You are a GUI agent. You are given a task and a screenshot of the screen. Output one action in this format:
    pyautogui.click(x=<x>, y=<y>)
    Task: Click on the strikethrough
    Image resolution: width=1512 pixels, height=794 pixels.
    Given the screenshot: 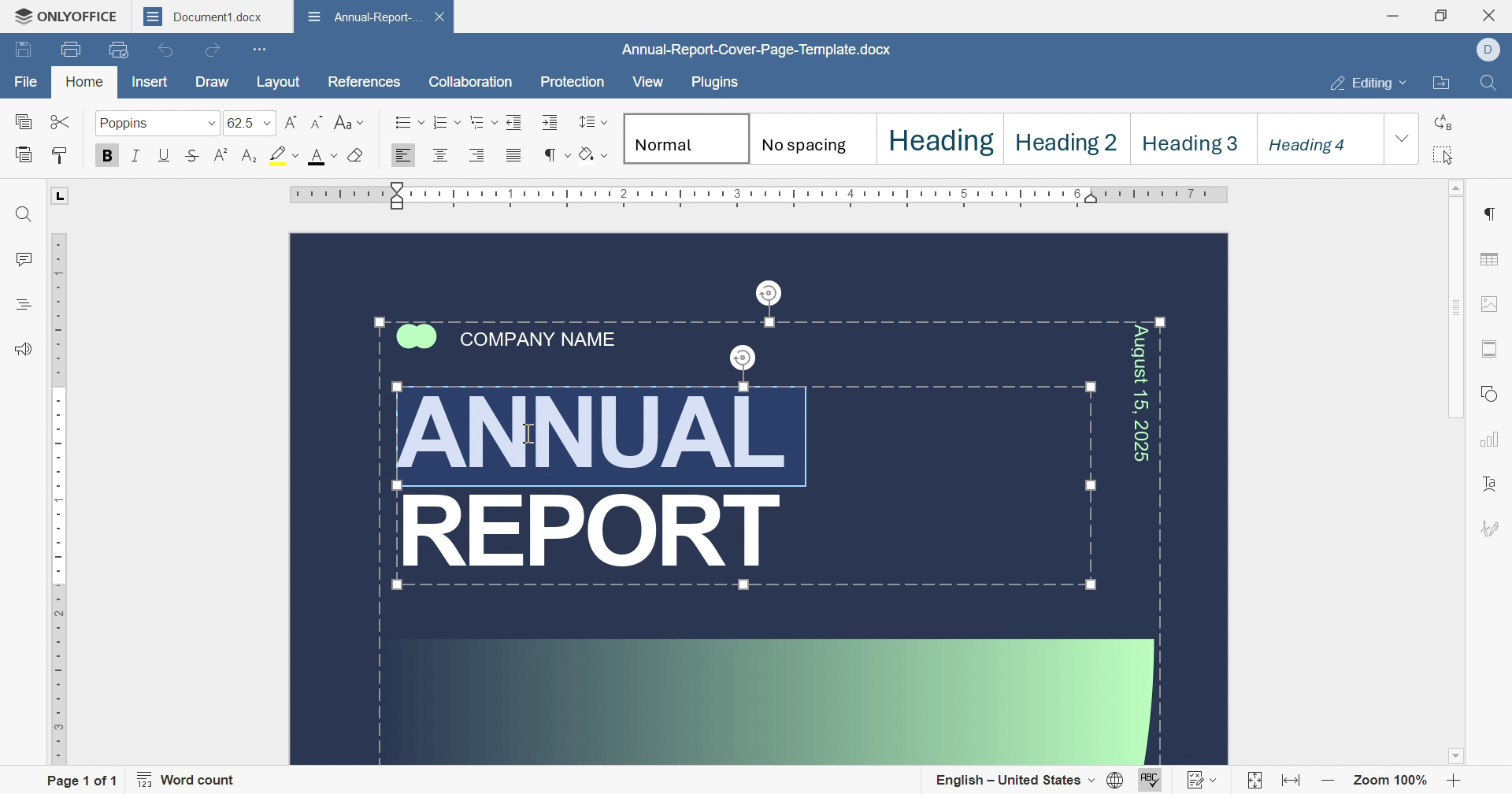 What is the action you would take?
    pyautogui.click(x=193, y=157)
    